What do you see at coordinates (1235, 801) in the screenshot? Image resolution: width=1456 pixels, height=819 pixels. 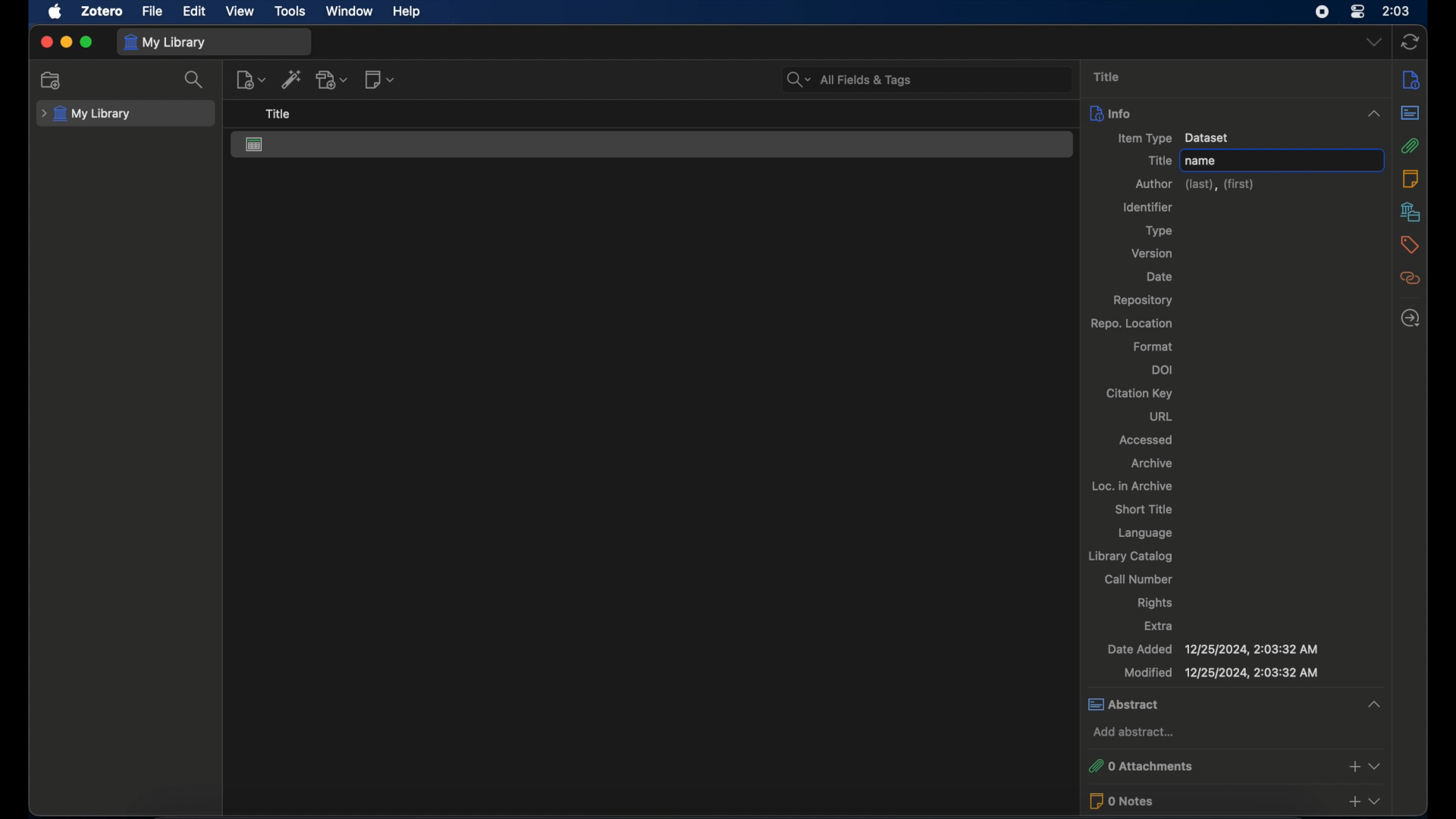 I see `0 notes` at bounding box center [1235, 801].